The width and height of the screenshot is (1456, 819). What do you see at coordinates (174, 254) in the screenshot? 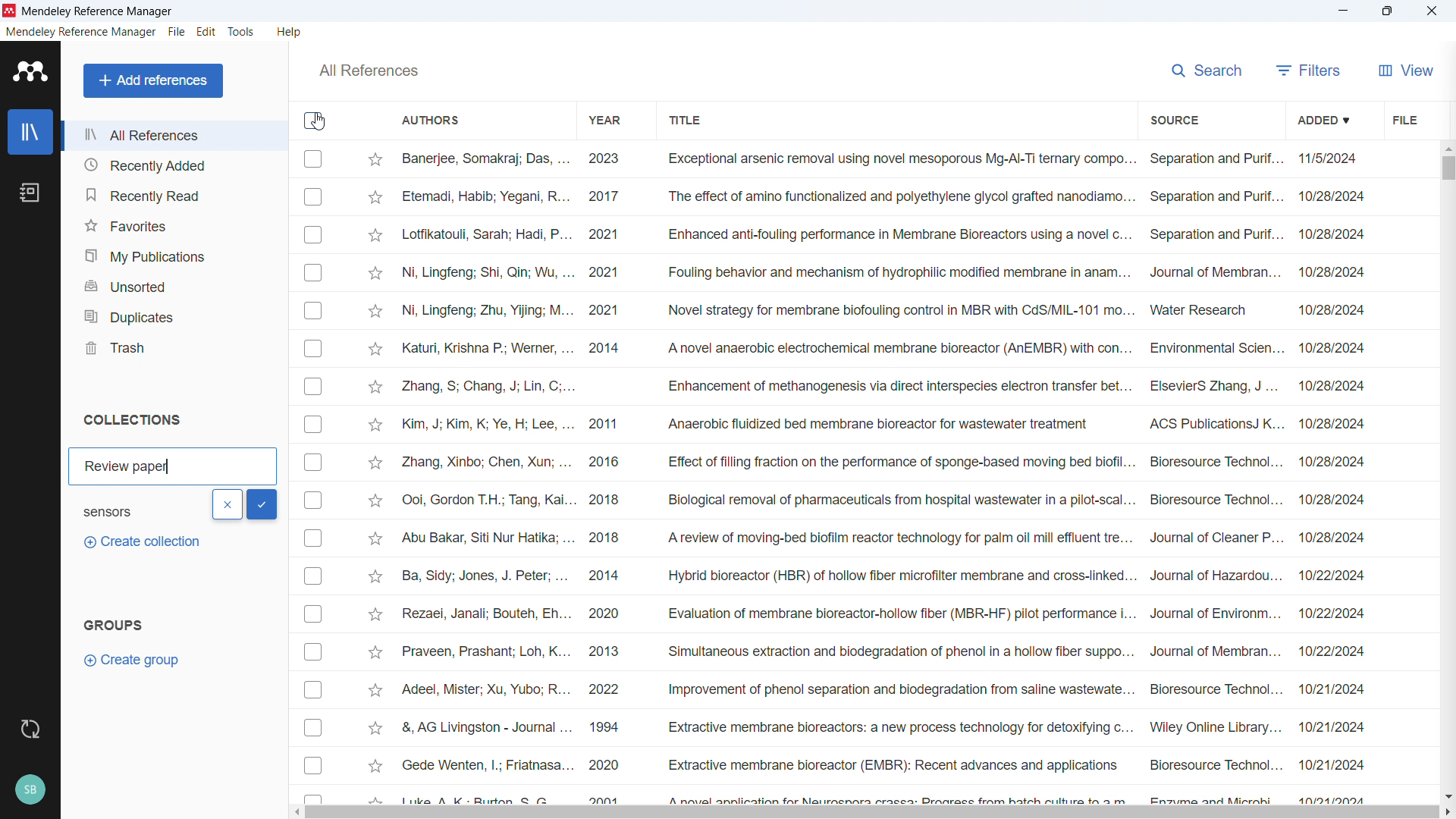
I see `My publications ` at bounding box center [174, 254].